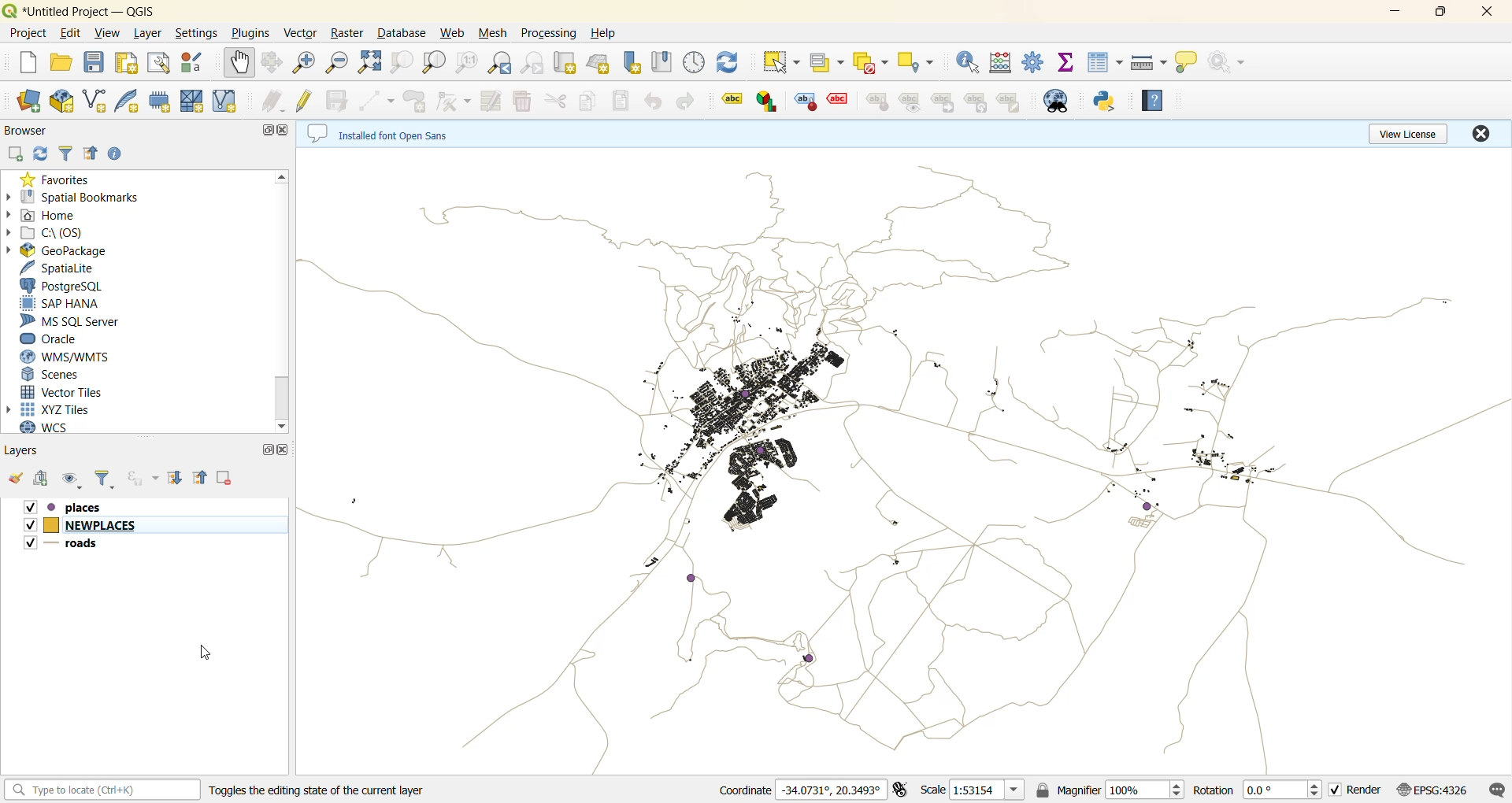 The height and width of the screenshot is (803, 1512). What do you see at coordinates (48, 213) in the screenshot?
I see `home` at bounding box center [48, 213].